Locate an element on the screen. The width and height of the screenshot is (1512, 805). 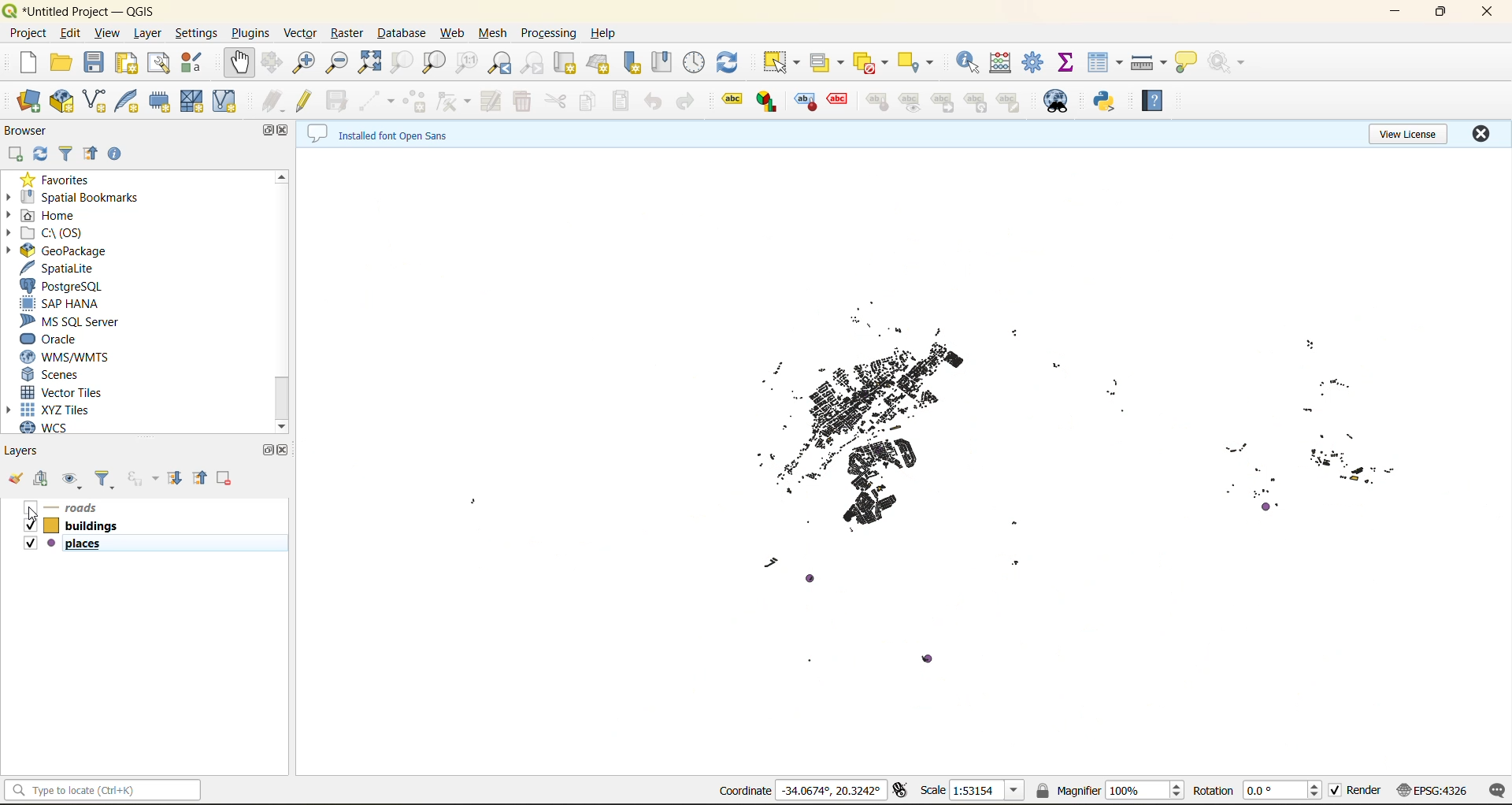
labels toolbar 3 is located at coordinates (806, 103).